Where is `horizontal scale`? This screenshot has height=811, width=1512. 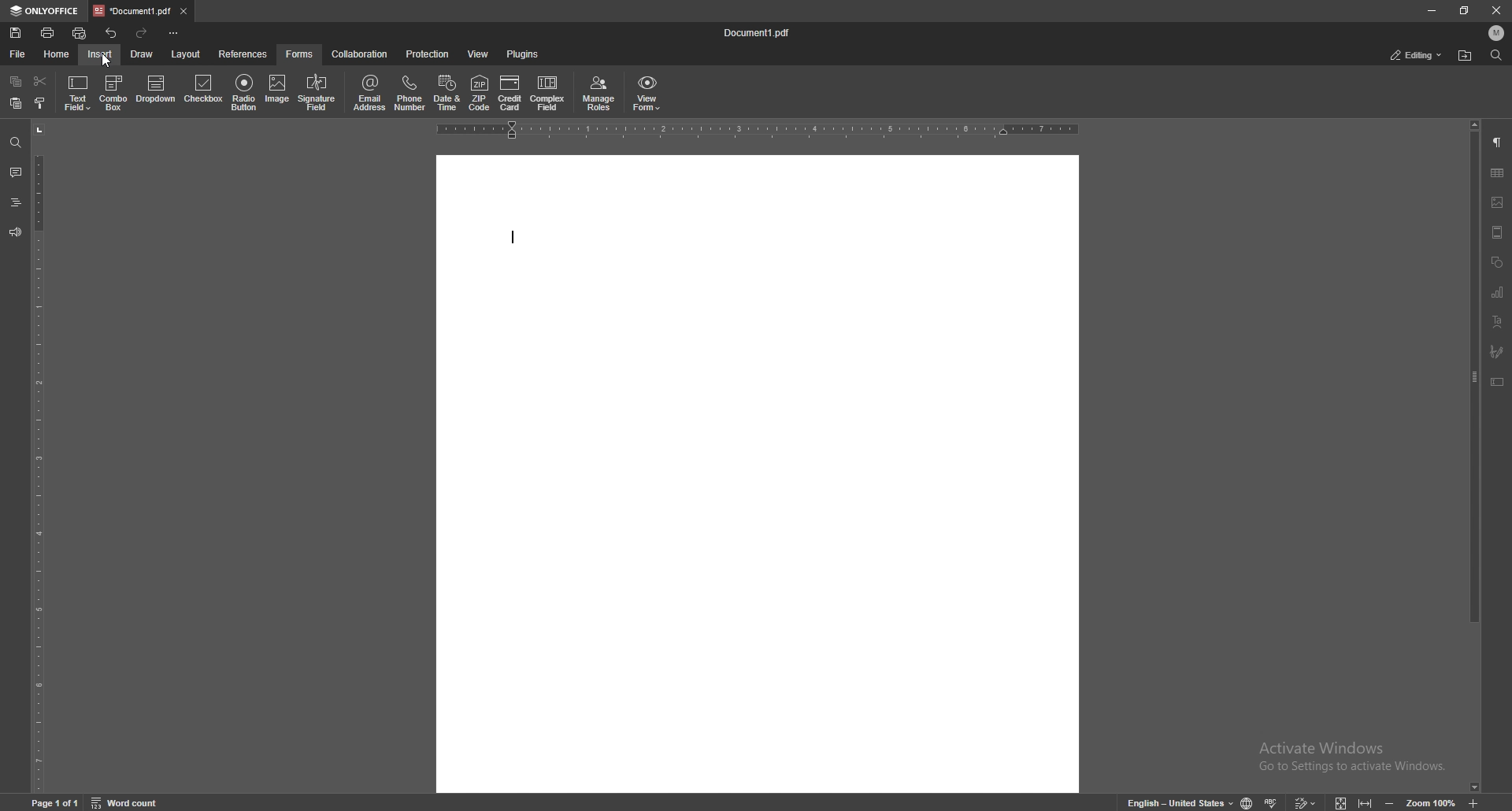 horizontal scale is located at coordinates (754, 131).